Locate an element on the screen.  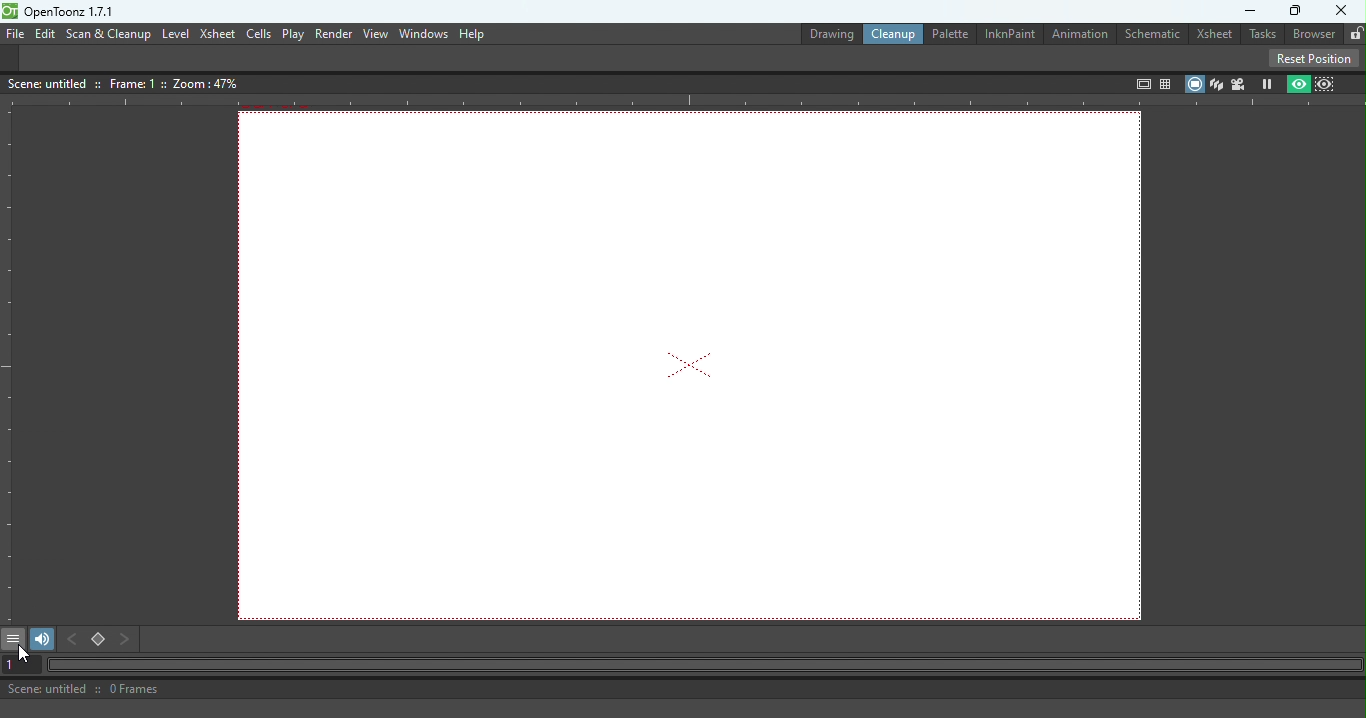
Xsheet is located at coordinates (217, 35).